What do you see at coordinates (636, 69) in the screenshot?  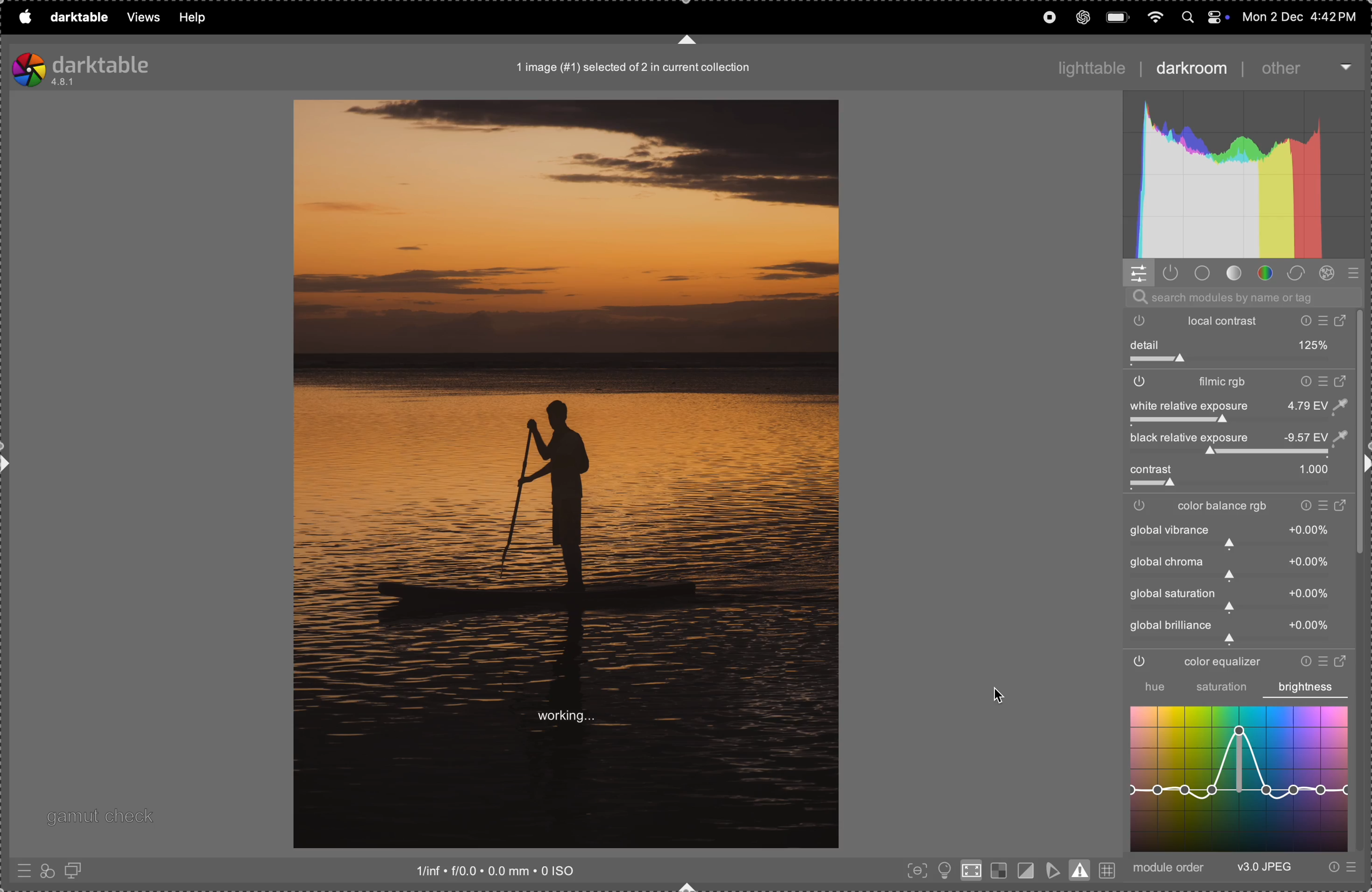 I see `current image position` at bounding box center [636, 69].